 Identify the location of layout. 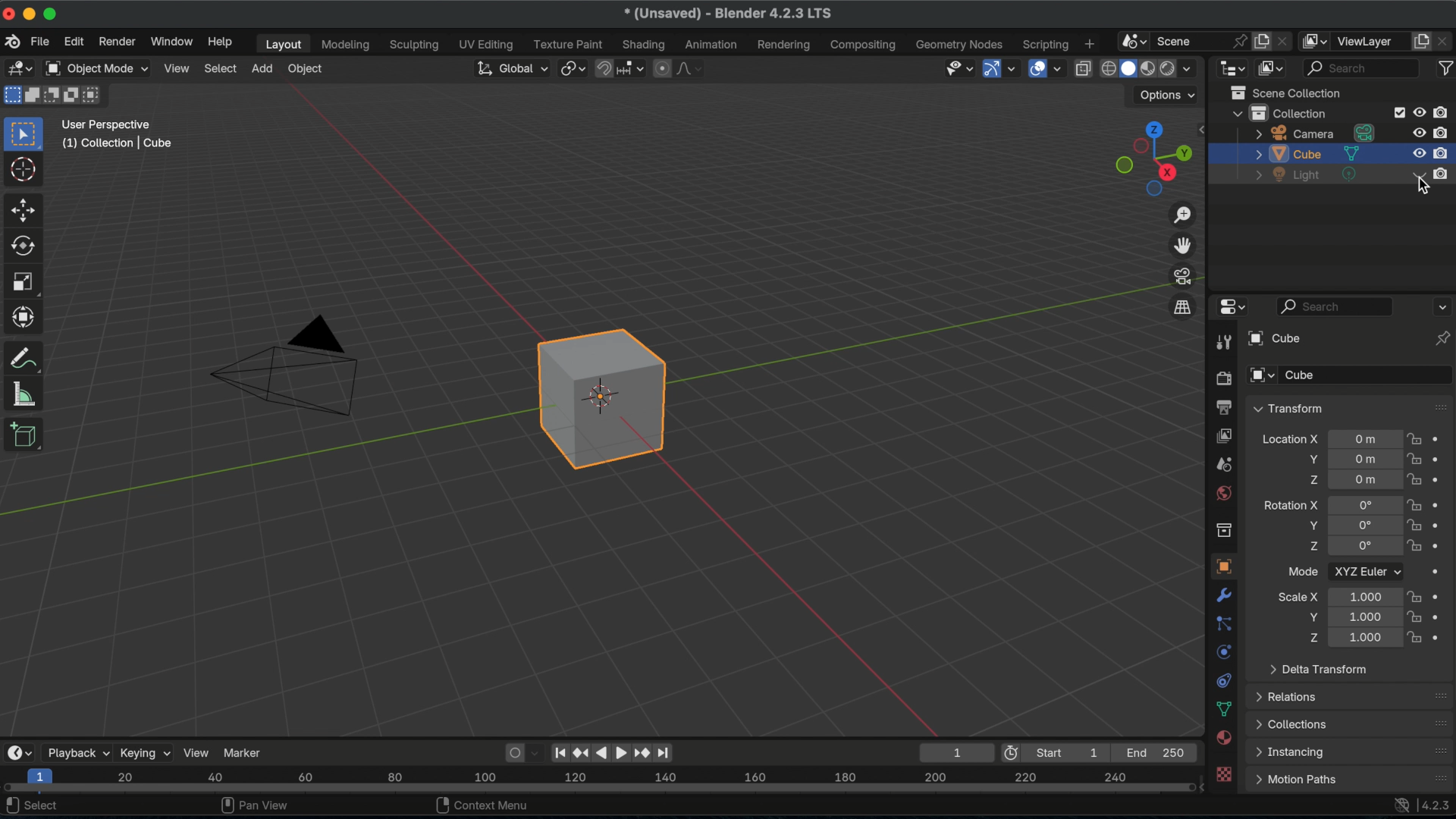
(284, 43).